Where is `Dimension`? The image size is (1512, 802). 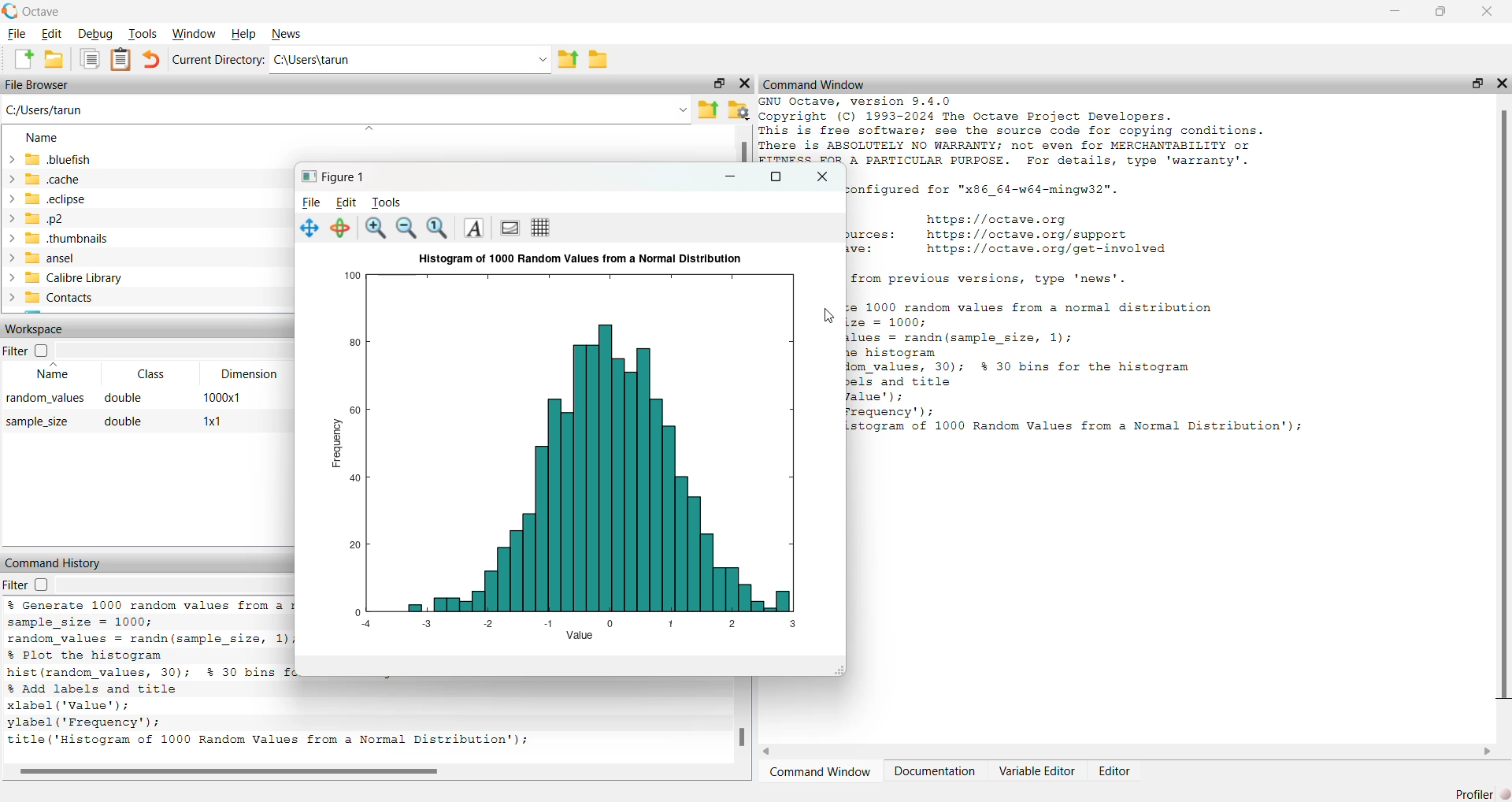
Dimension is located at coordinates (249, 374).